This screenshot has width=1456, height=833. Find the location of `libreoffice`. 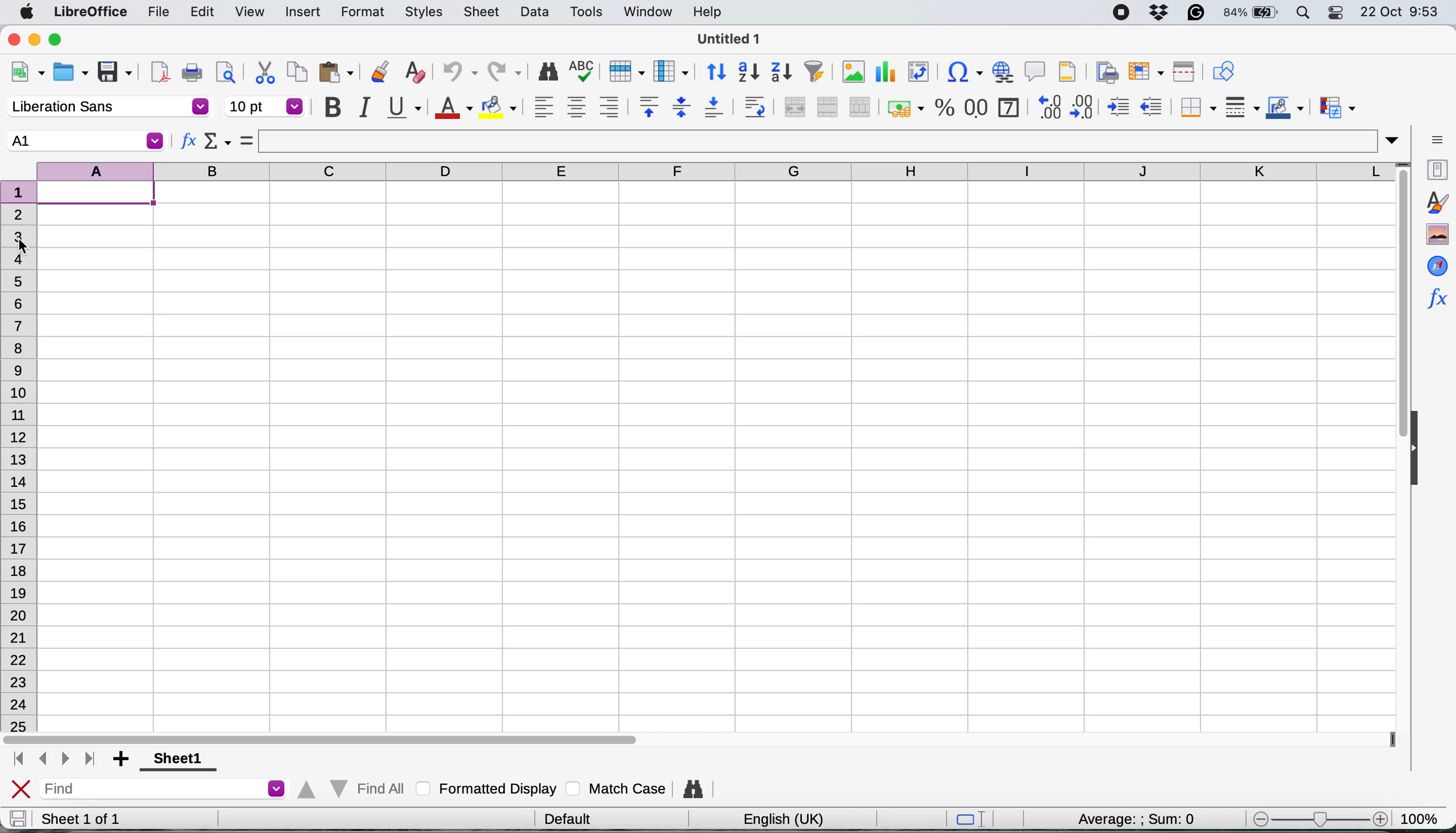

libreoffice is located at coordinates (93, 13).